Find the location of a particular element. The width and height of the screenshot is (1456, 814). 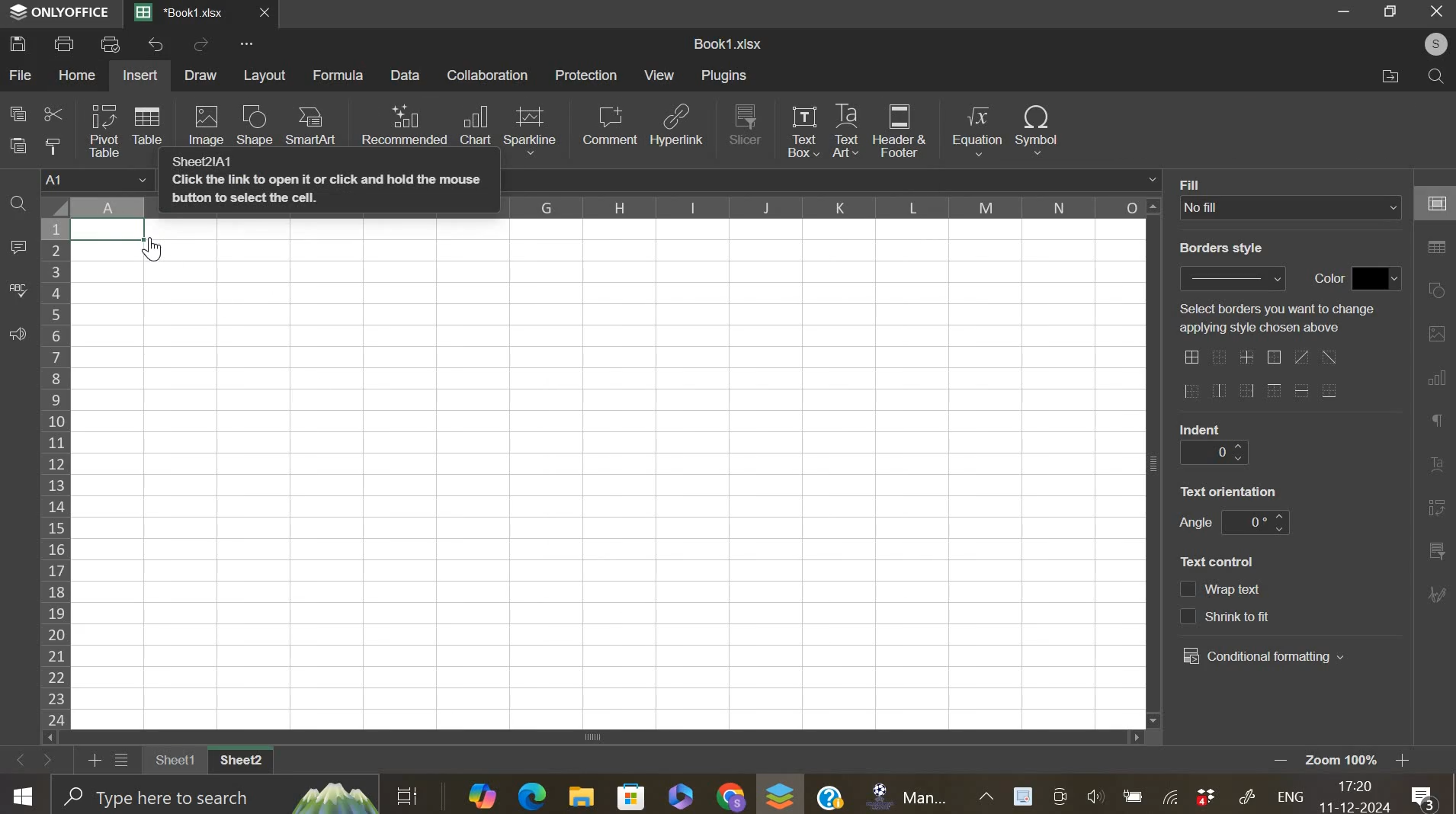

insert is located at coordinates (140, 75).